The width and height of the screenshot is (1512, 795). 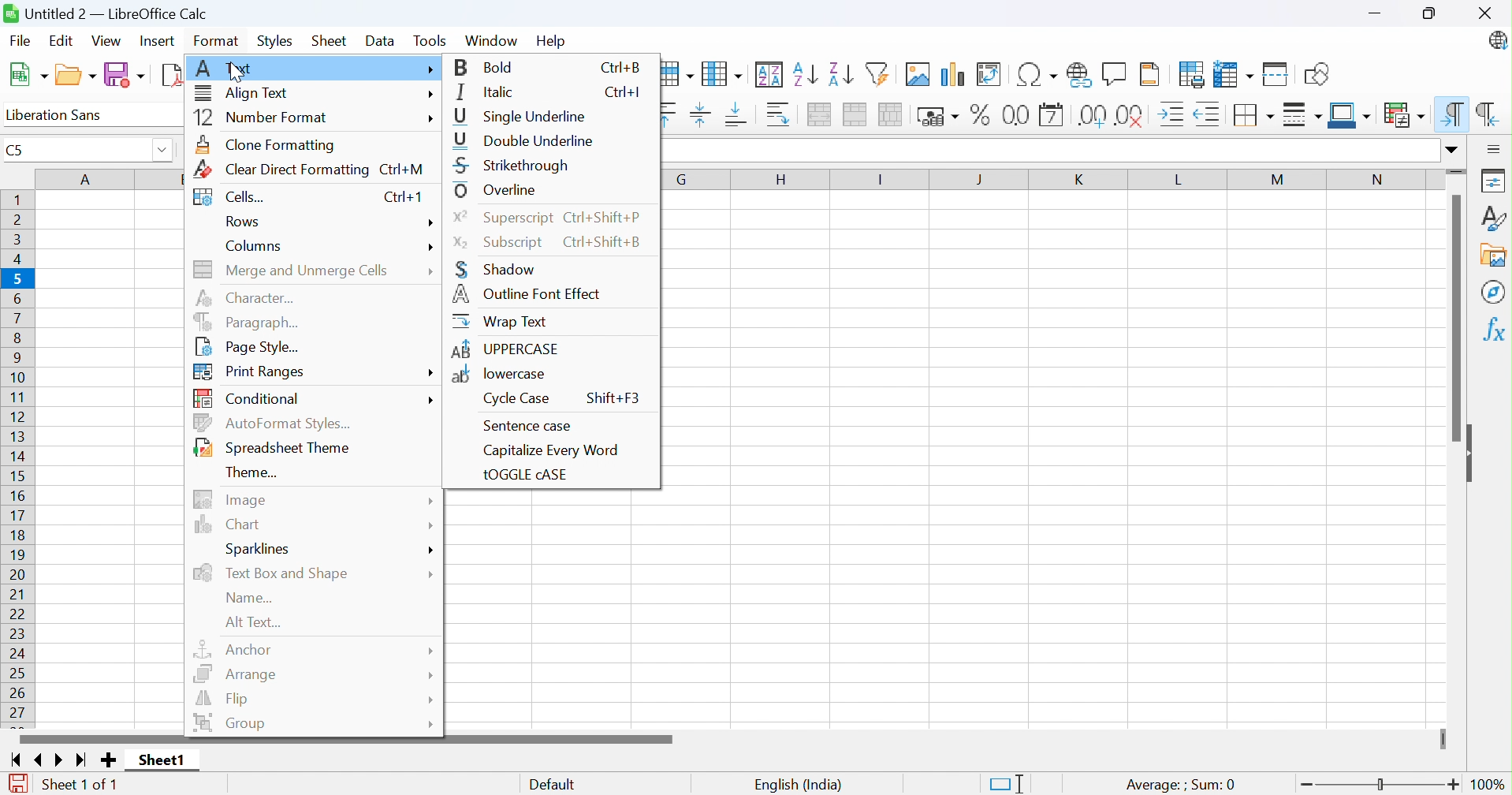 I want to click on Insert hyperlink, so click(x=1078, y=75).